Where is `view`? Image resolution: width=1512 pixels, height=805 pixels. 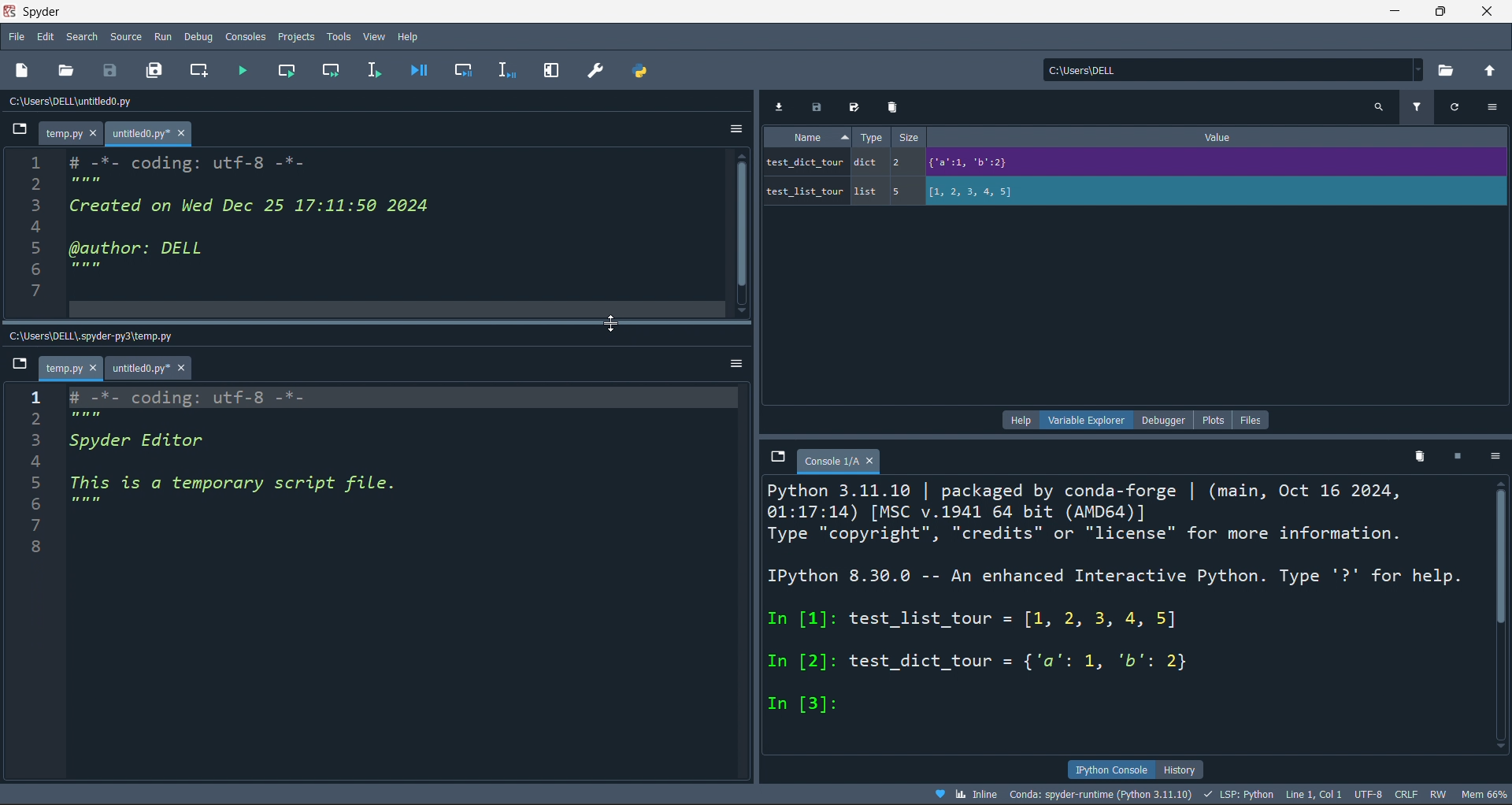
view is located at coordinates (371, 35).